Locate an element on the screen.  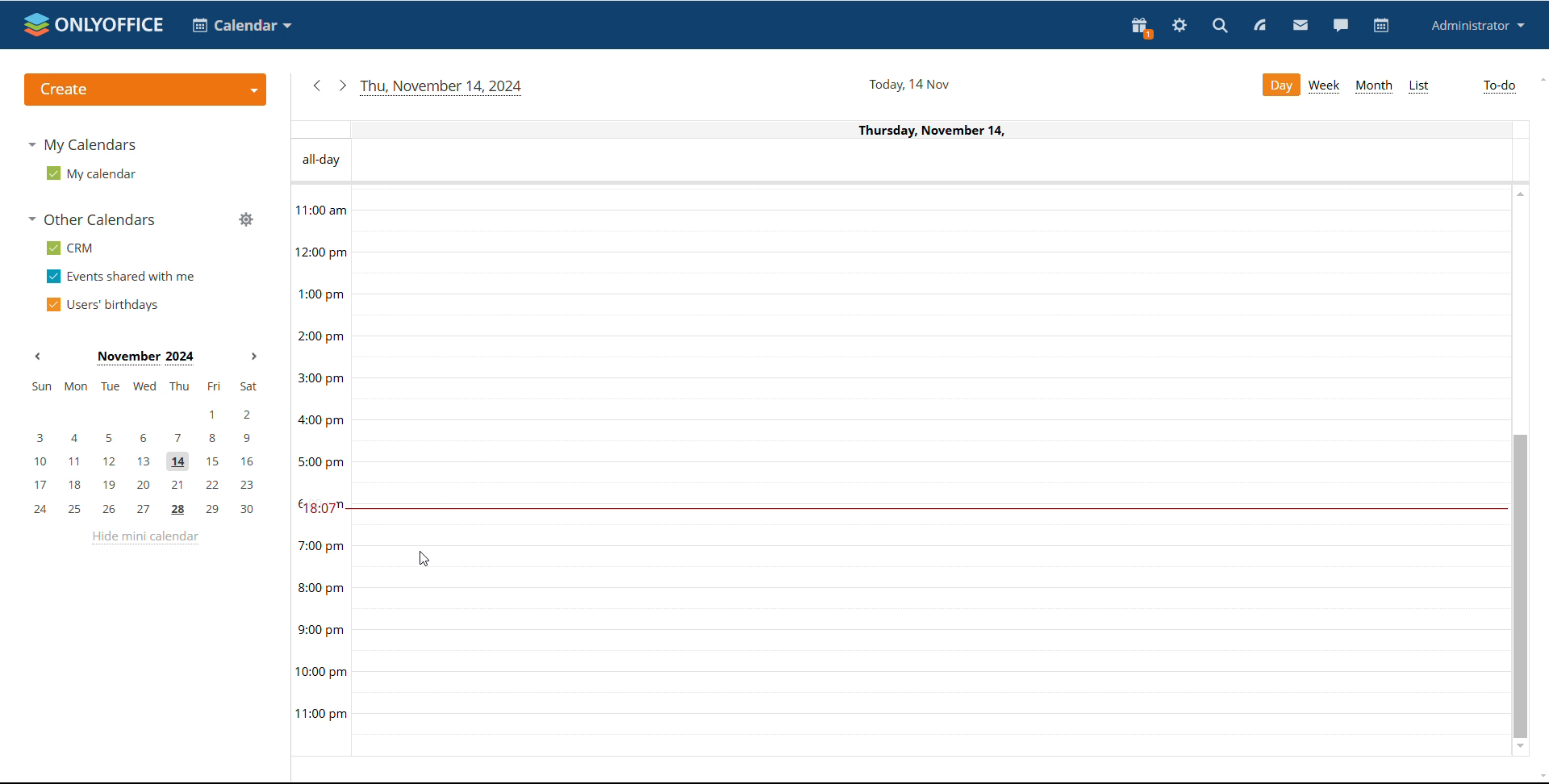
logo is located at coordinates (94, 25).